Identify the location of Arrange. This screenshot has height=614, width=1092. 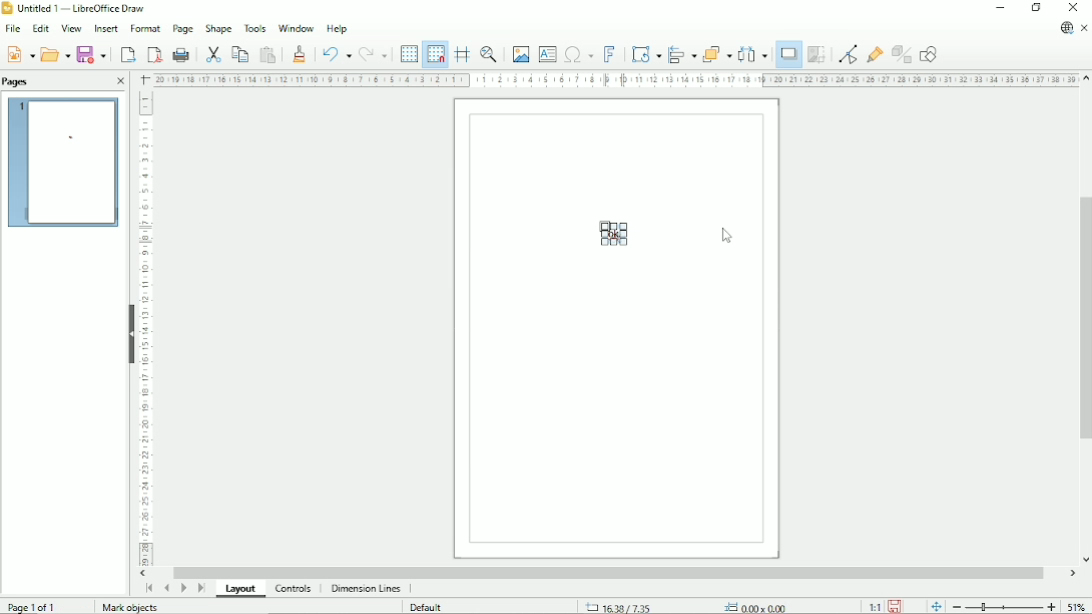
(716, 53).